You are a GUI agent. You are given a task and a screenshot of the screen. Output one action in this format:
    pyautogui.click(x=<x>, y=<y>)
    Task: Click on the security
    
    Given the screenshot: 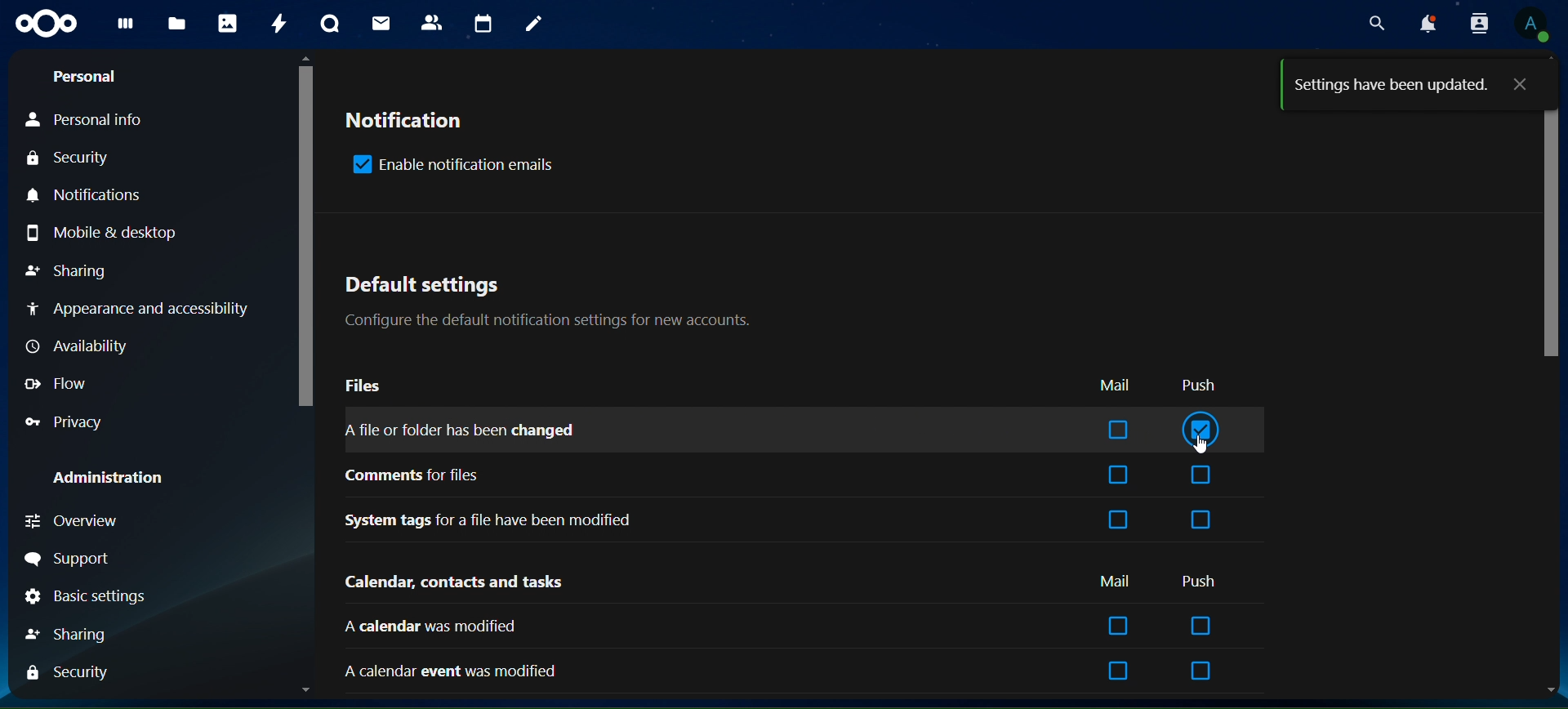 What is the action you would take?
    pyautogui.click(x=68, y=671)
    